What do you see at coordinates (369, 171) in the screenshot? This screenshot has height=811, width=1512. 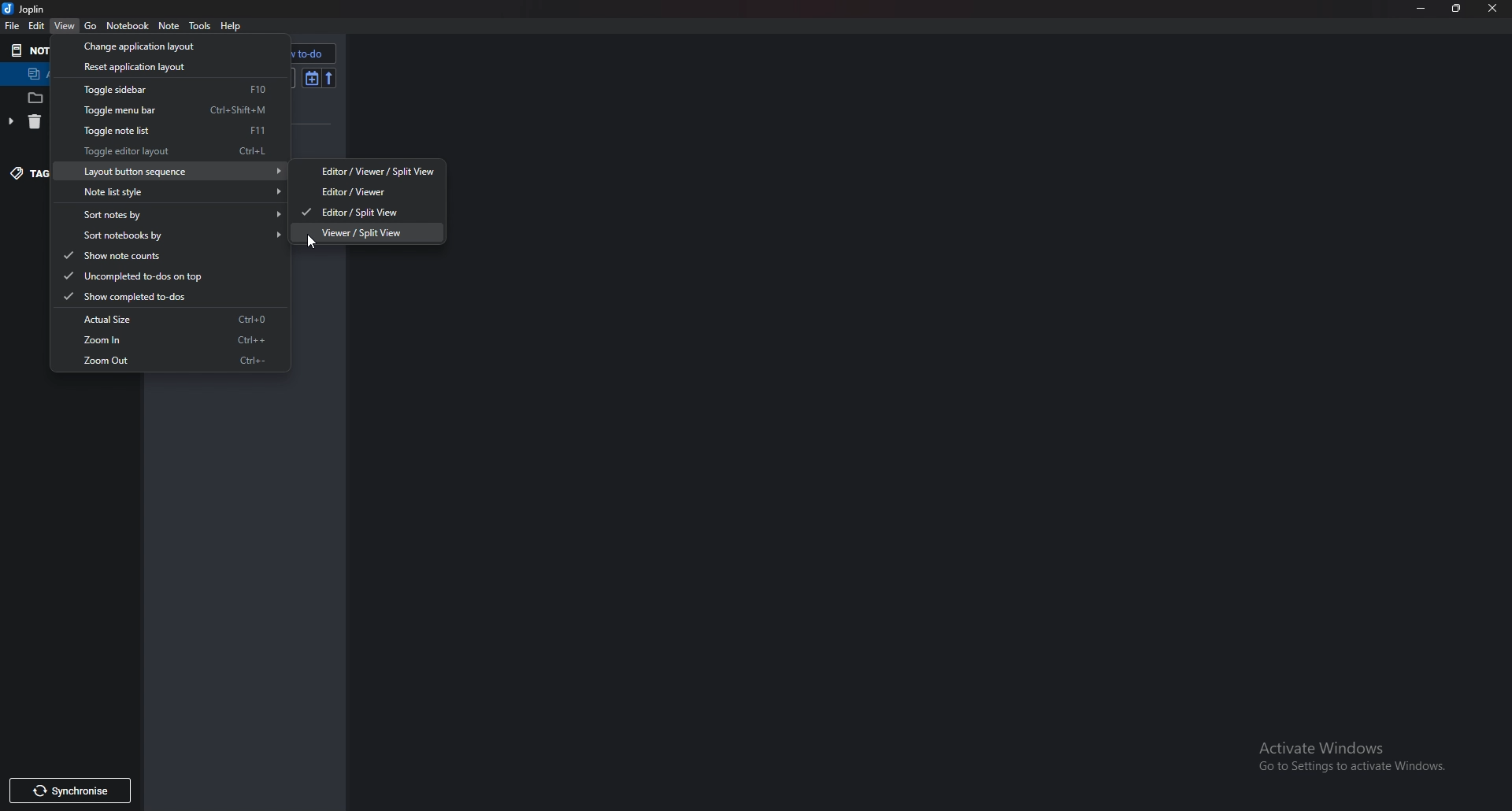 I see `editor/ viewer /Splitview` at bounding box center [369, 171].